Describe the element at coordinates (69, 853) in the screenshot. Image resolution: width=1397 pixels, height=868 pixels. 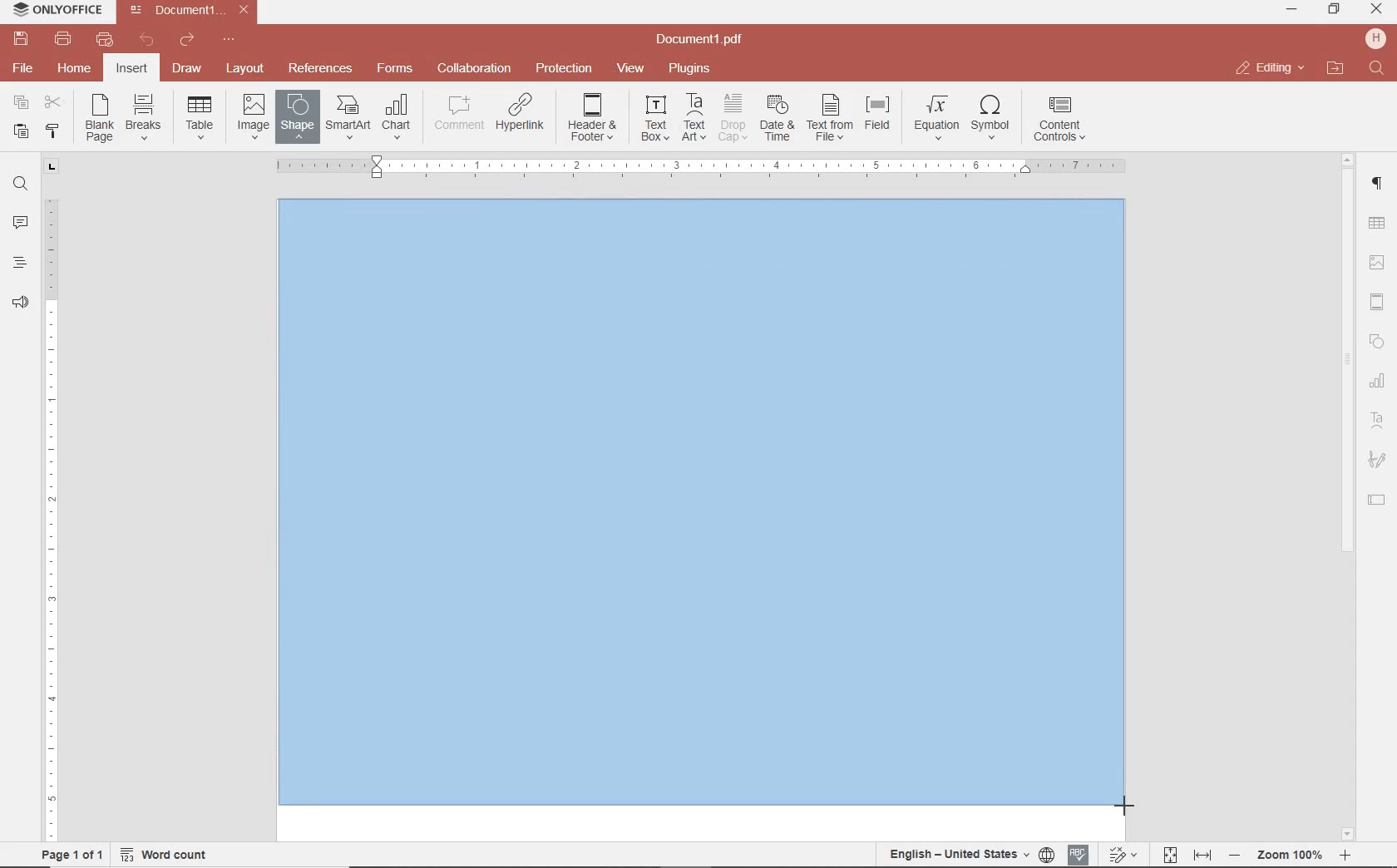
I see `page 1 of 1` at that location.